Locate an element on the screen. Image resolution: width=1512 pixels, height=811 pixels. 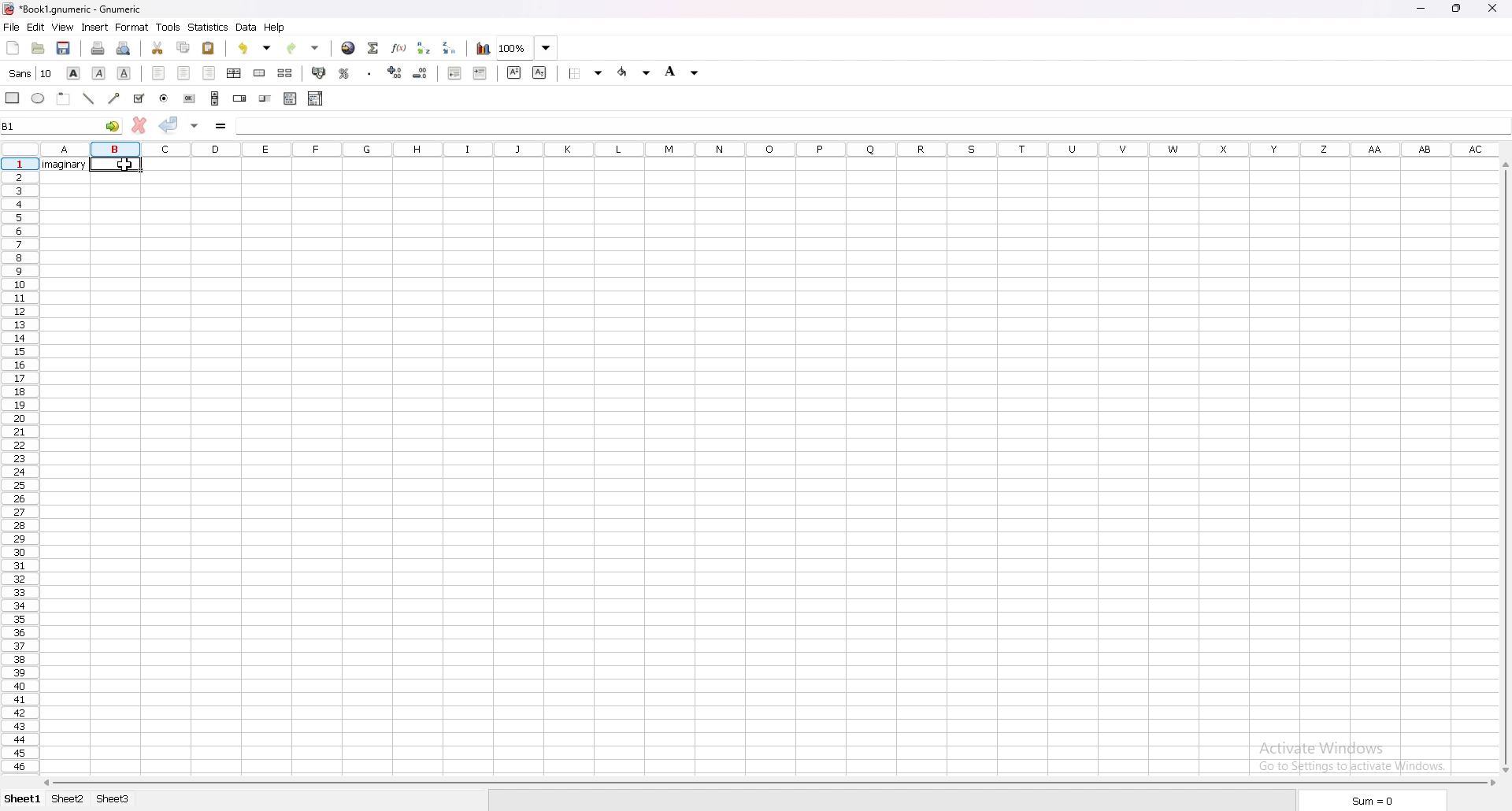
list is located at coordinates (291, 99).